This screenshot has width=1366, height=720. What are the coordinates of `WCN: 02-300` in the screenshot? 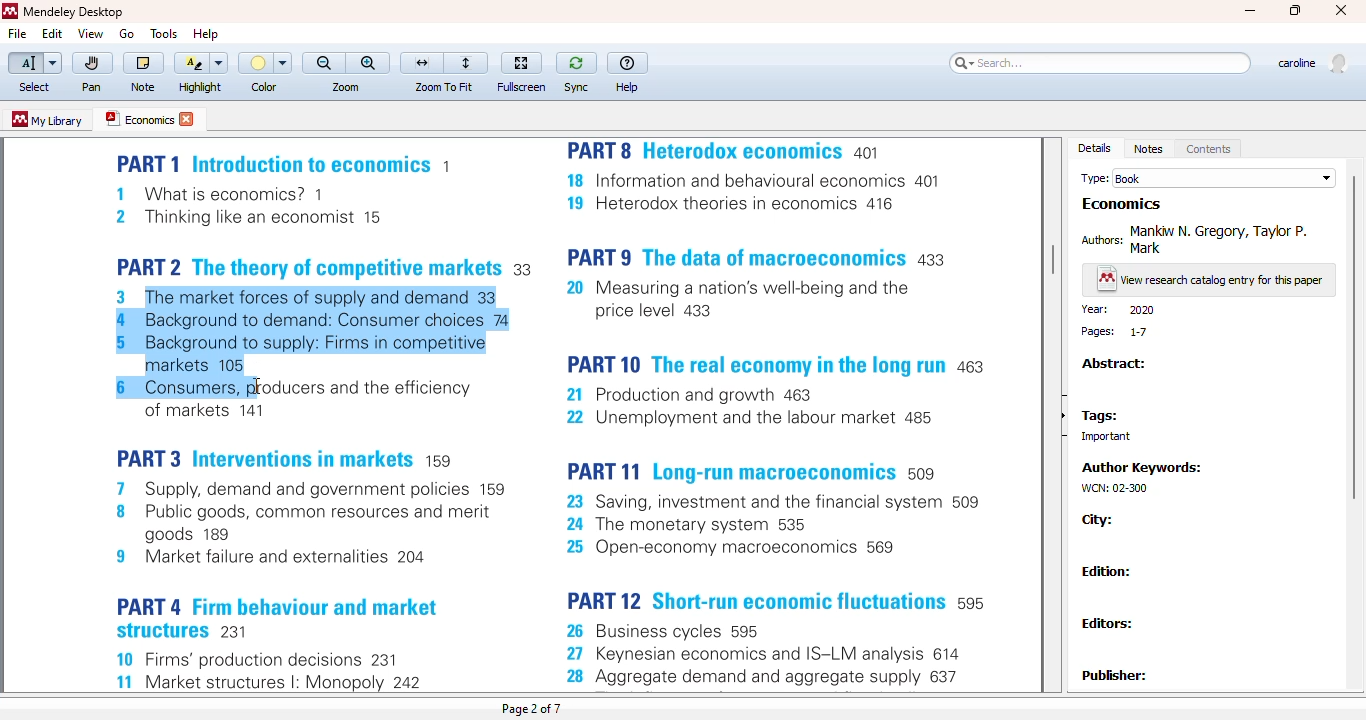 It's located at (1112, 488).